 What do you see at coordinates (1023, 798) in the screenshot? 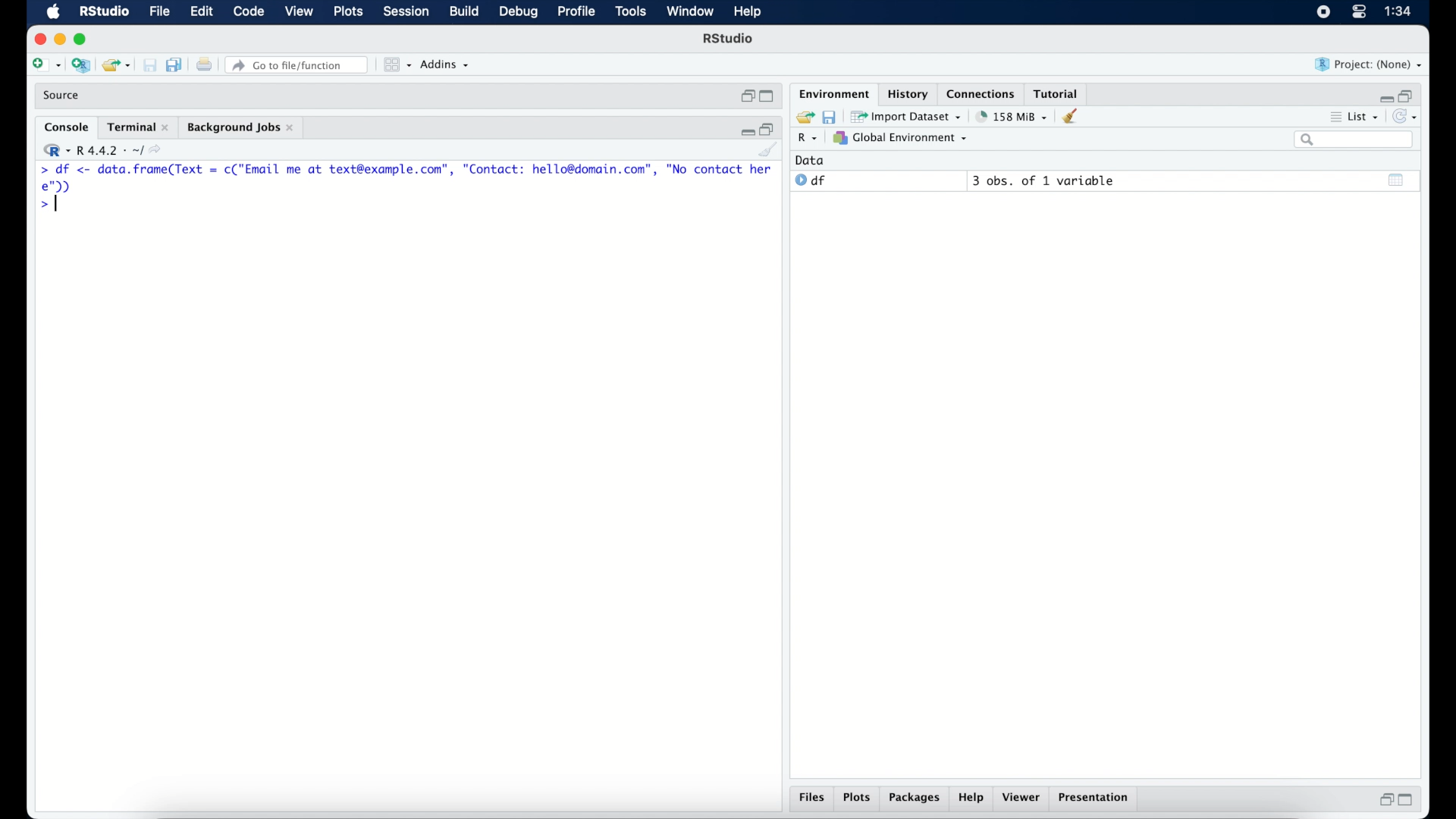
I see `viewer` at bounding box center [1023, 798].